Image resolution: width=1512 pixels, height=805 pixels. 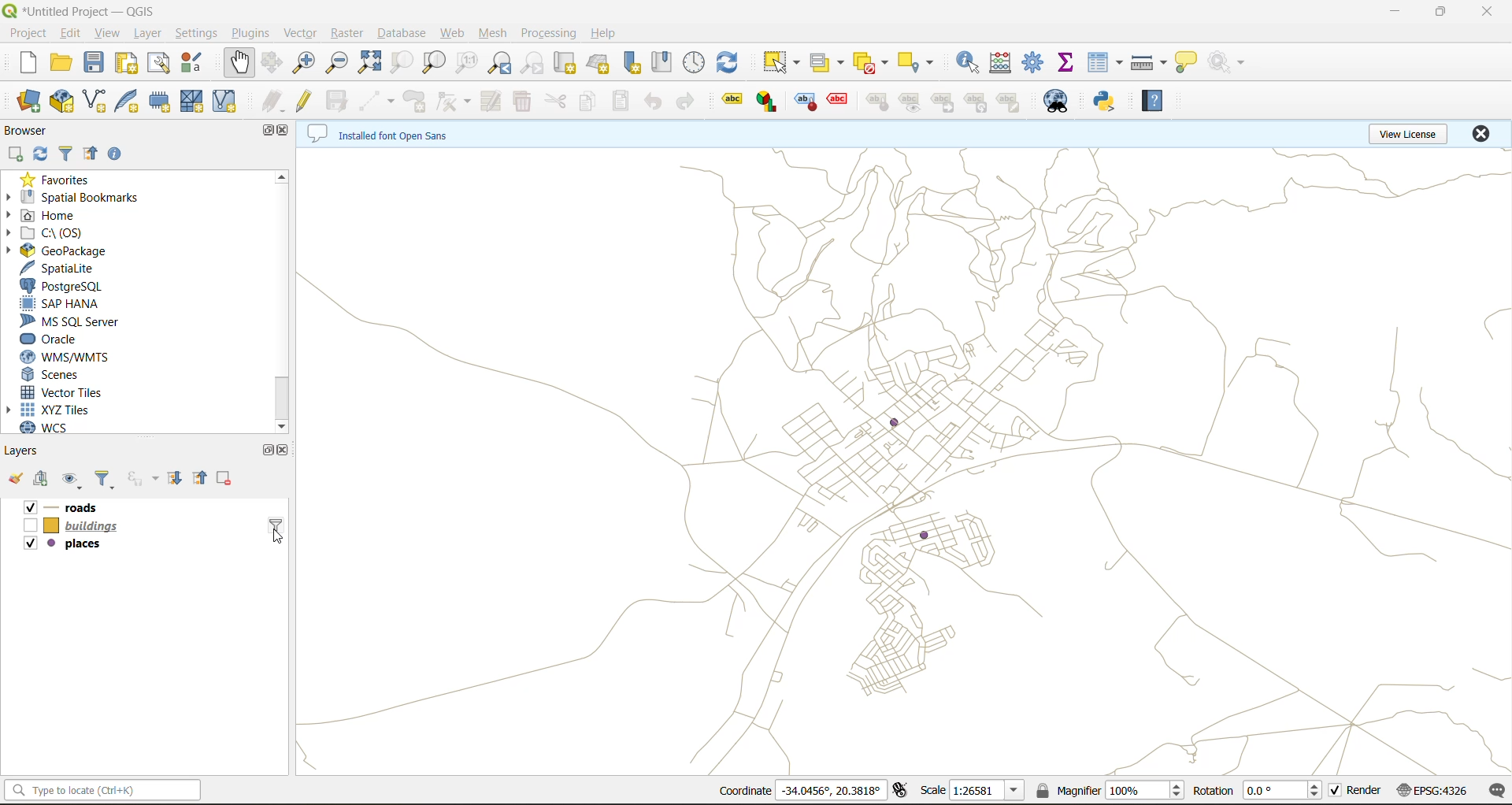 What do you see at coordinates (273, 102) in the screenshot?
I see `edits` at bounding box center [273, 102].